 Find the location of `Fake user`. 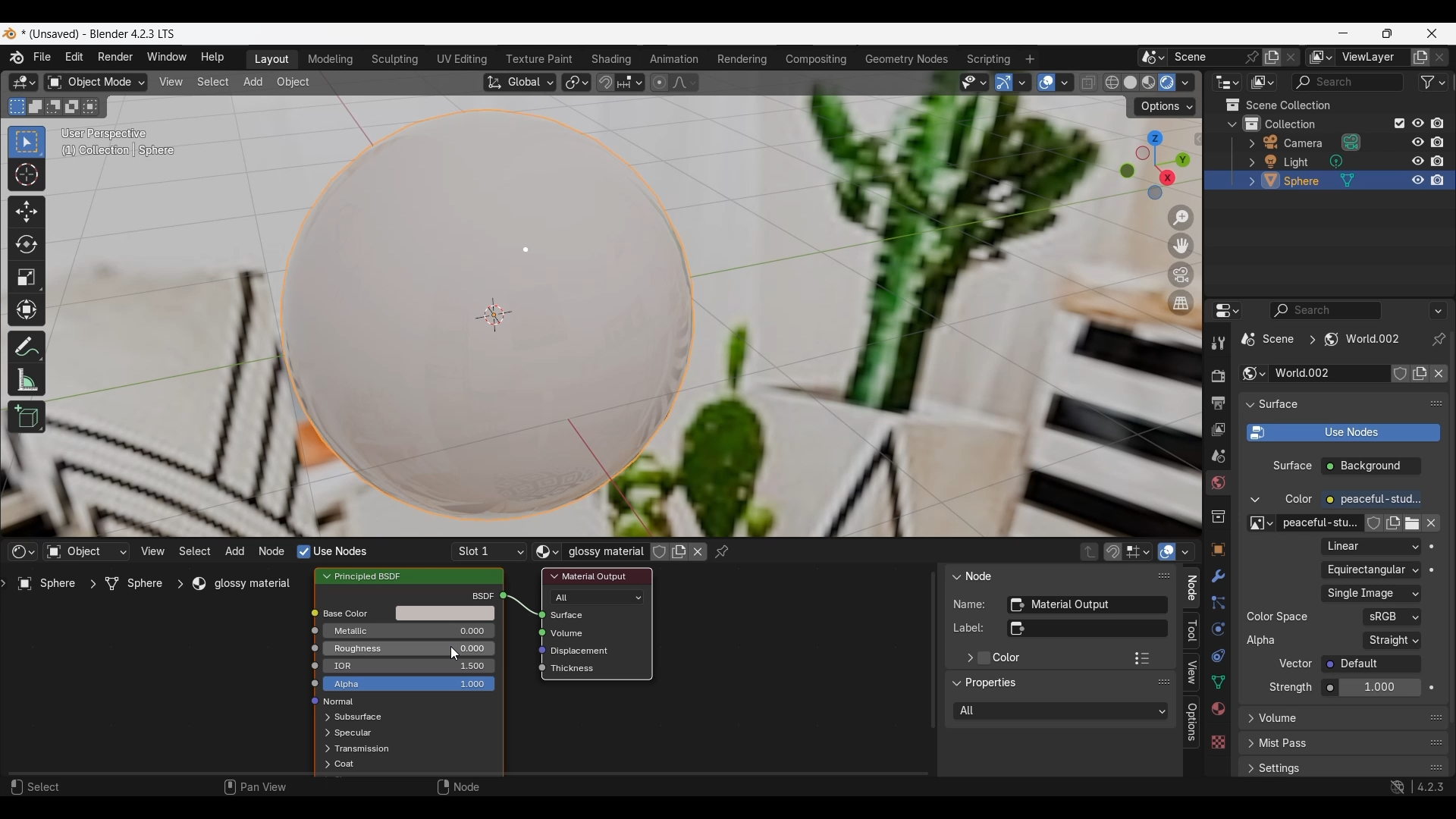

Fake user is located at coordinates (660, 552).